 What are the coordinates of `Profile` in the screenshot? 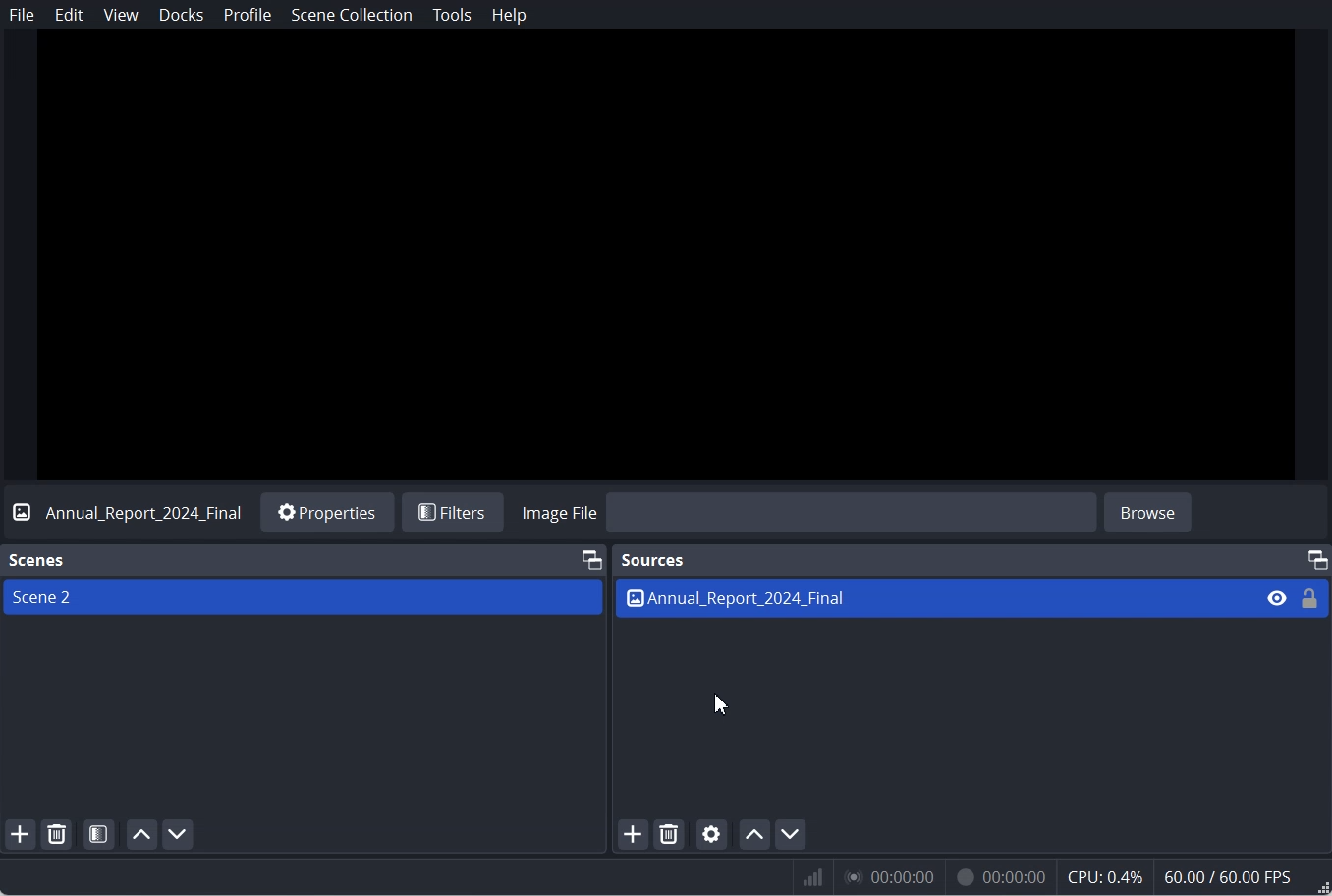 It's located at (247, 16).